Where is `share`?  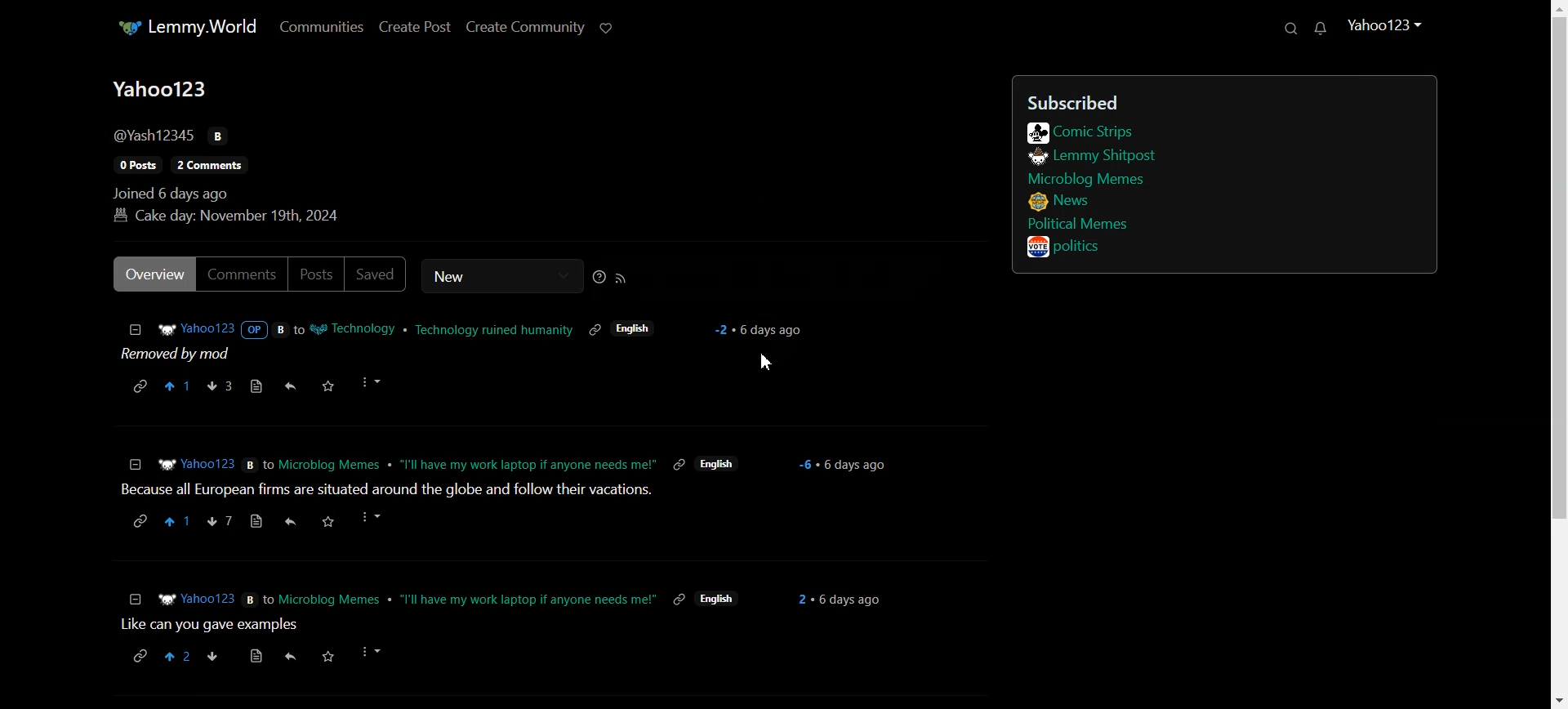 share is located at coordinates (139, 522).